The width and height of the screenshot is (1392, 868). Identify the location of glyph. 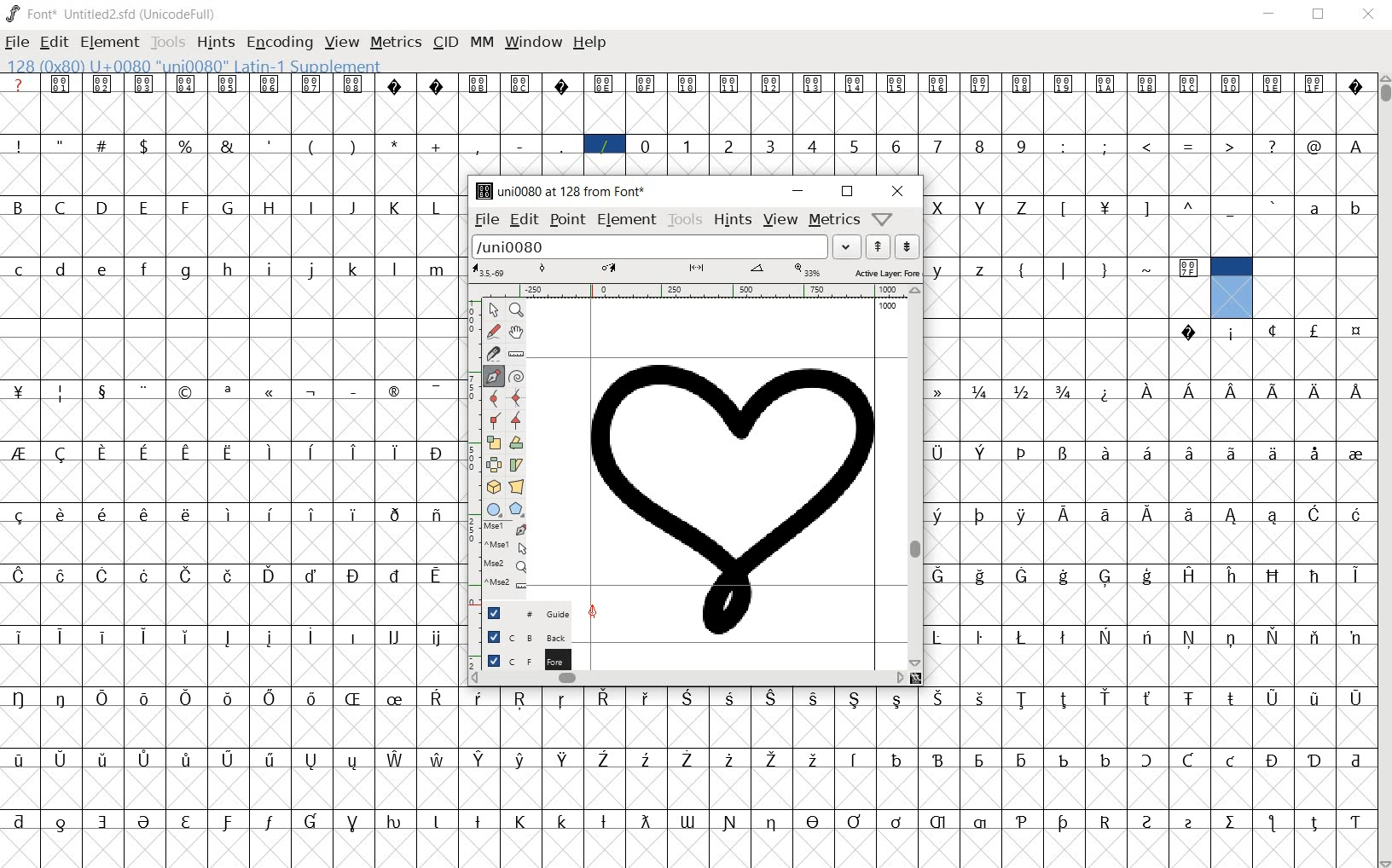
(1022, 84).